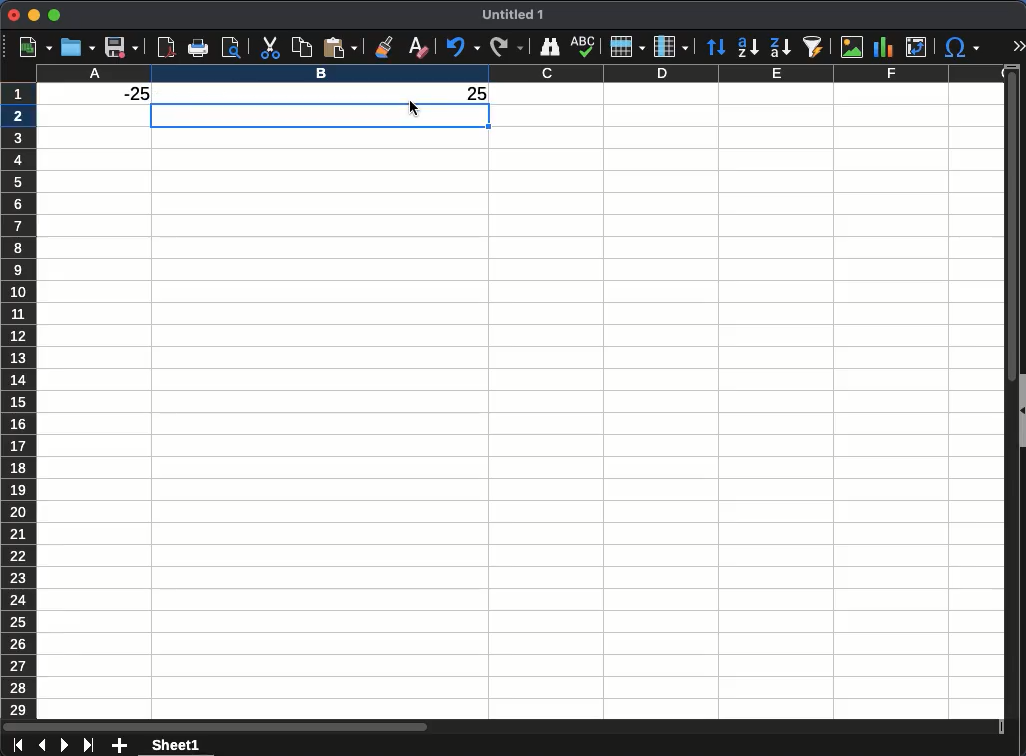  I want to click on rows, so click(19, 397).